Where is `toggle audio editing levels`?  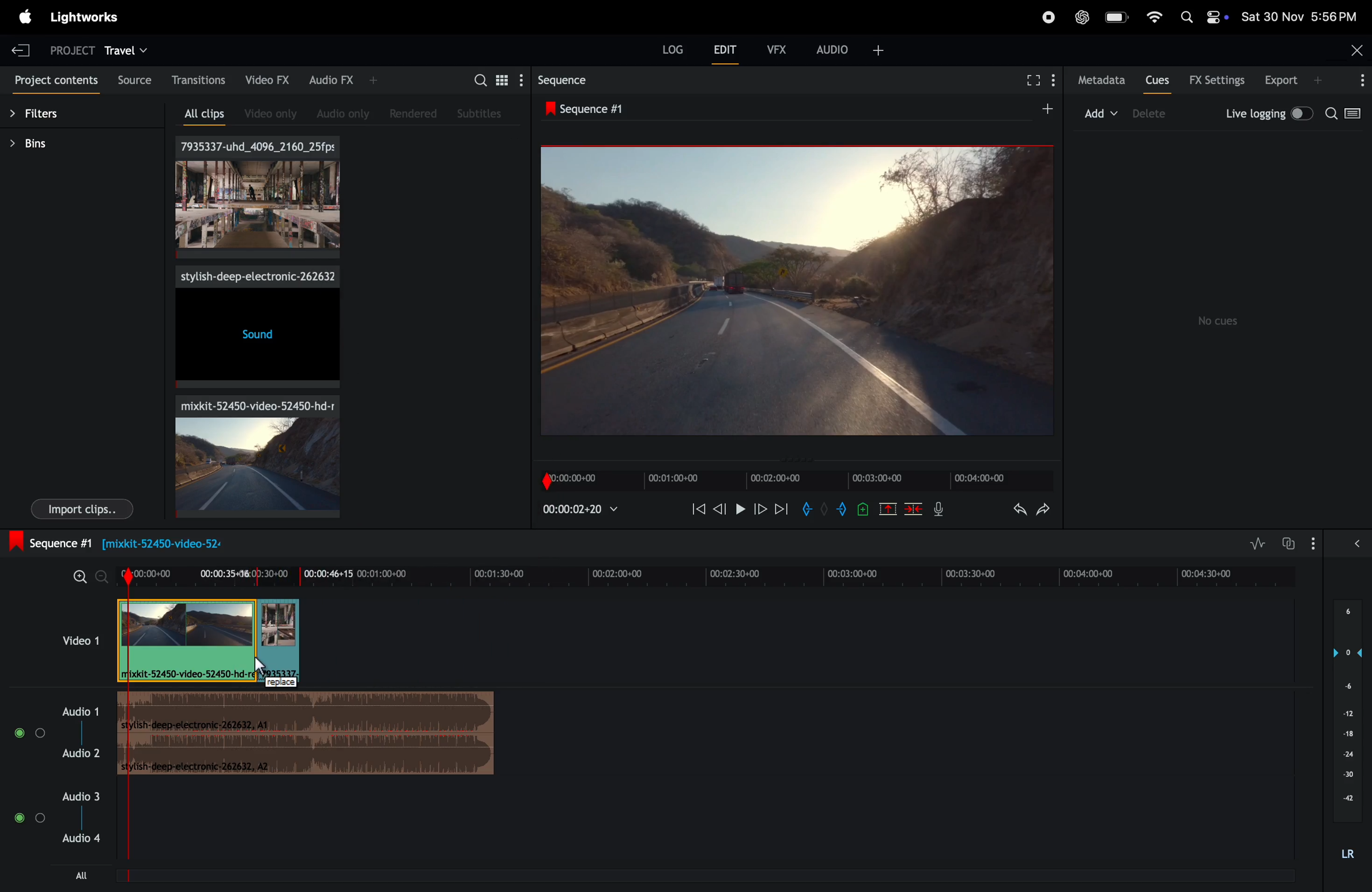 toggle audio editing levels is located at coordinates (1254, 543).